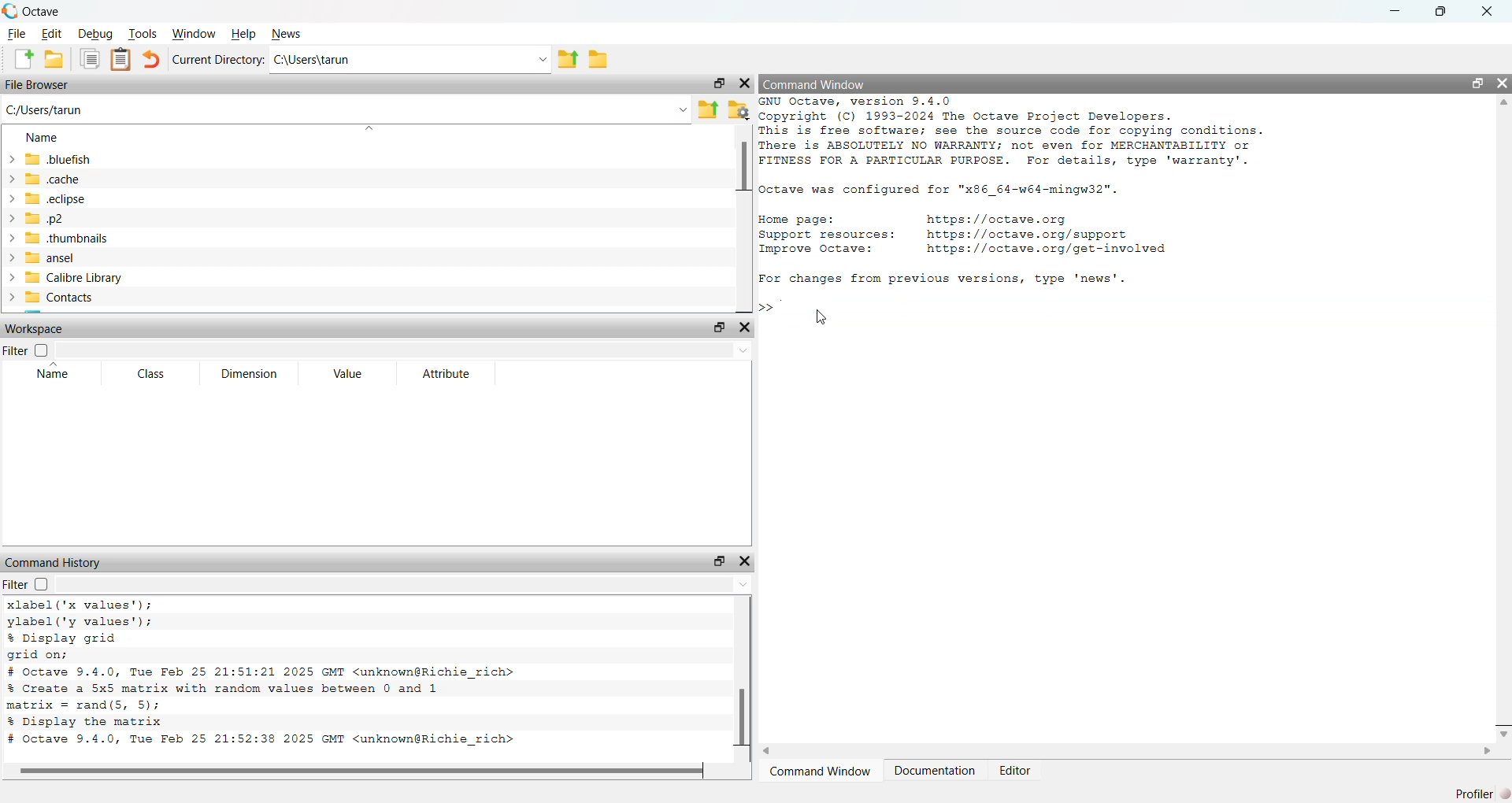 Image resolution: width=1512 pixels, height=803 pixels. What do you see at coordinates (355, 772) in the screenshot?
I see `scroll bar` at bounding box center [355, 772].